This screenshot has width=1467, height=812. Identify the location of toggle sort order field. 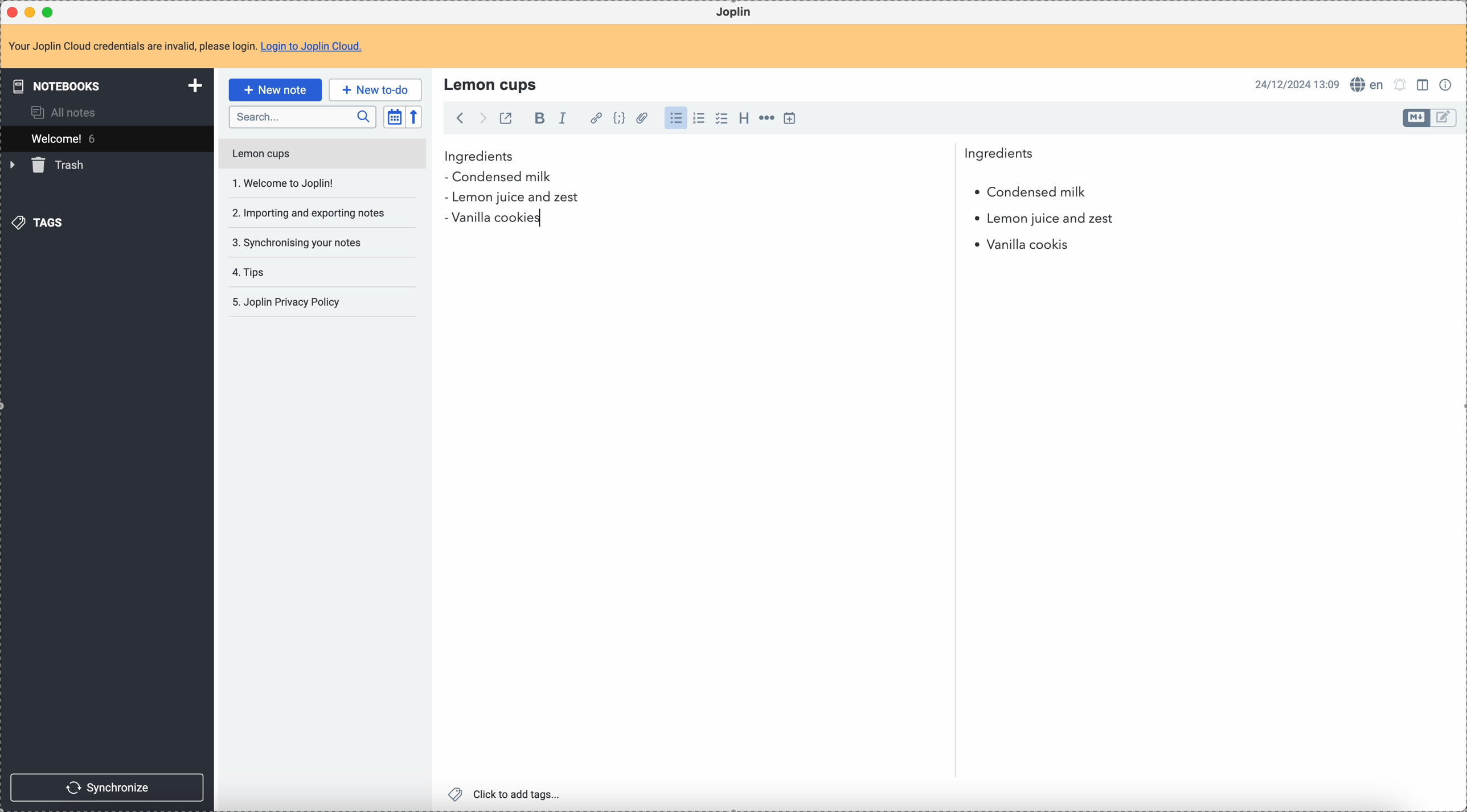
(394, 117).